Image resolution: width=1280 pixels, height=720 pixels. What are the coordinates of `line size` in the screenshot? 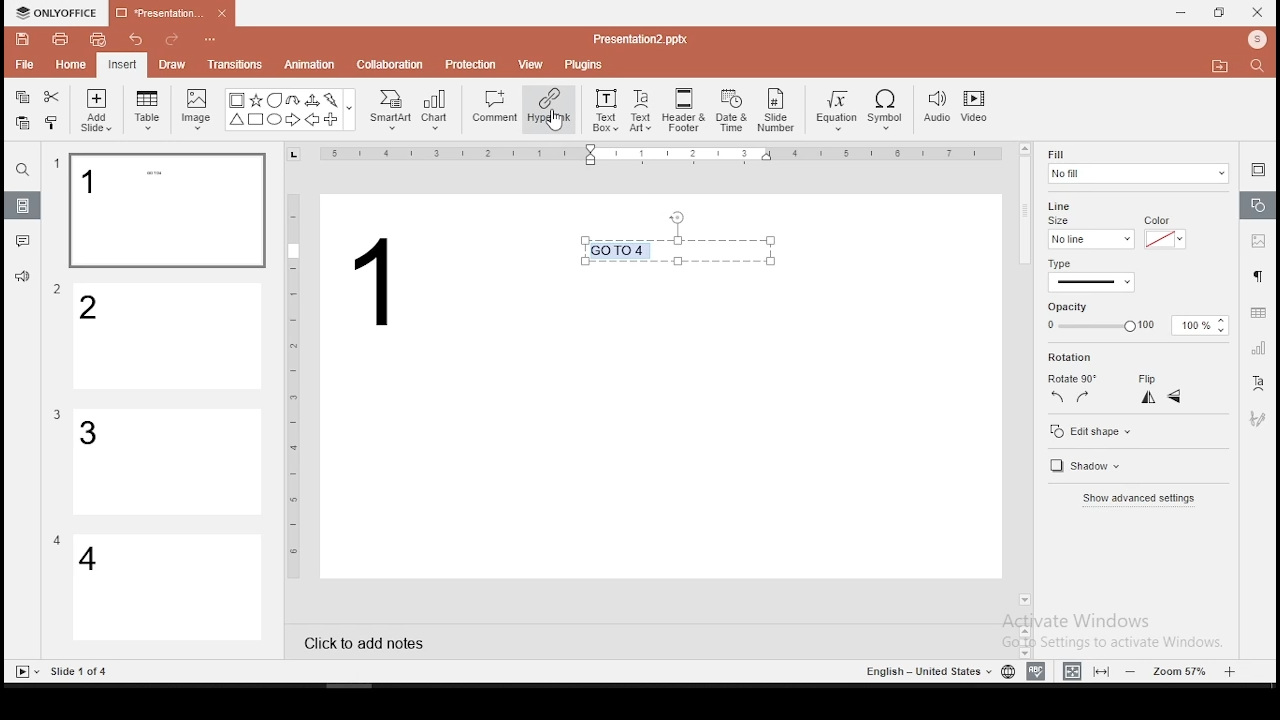 It's located at (1090, 238).